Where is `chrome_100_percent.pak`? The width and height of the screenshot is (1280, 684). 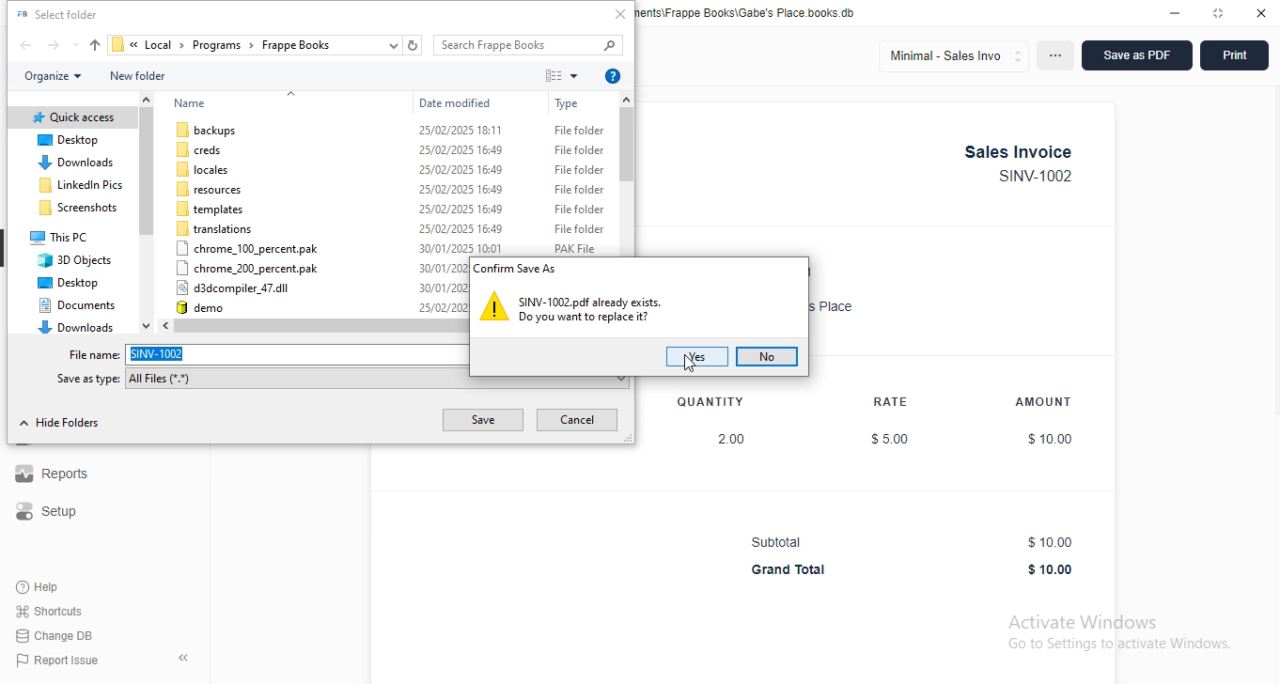
chrome_100_percent.pak is located at coordinates (247, 248).